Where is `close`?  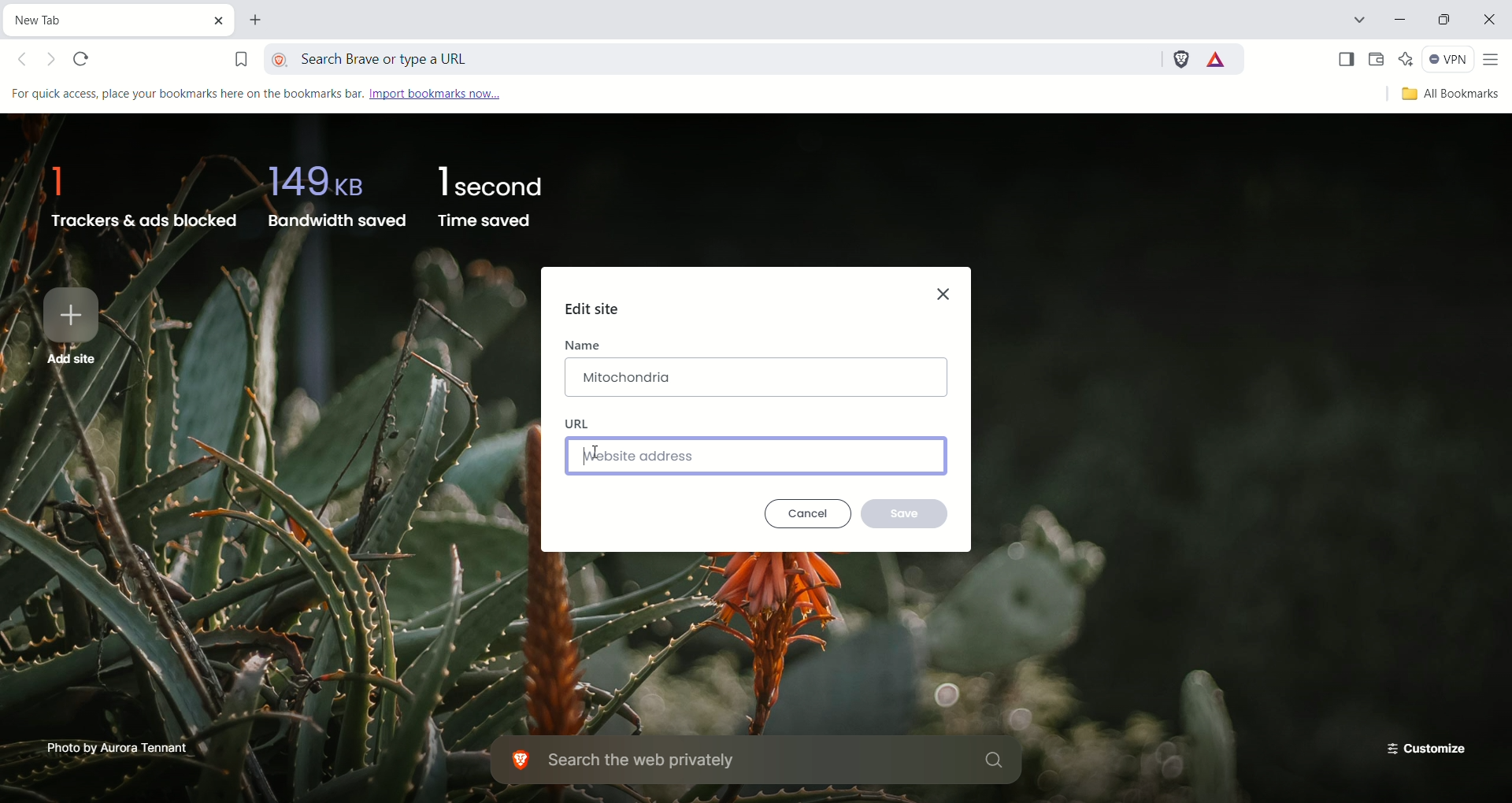
close is located at coordinates (947, 290).